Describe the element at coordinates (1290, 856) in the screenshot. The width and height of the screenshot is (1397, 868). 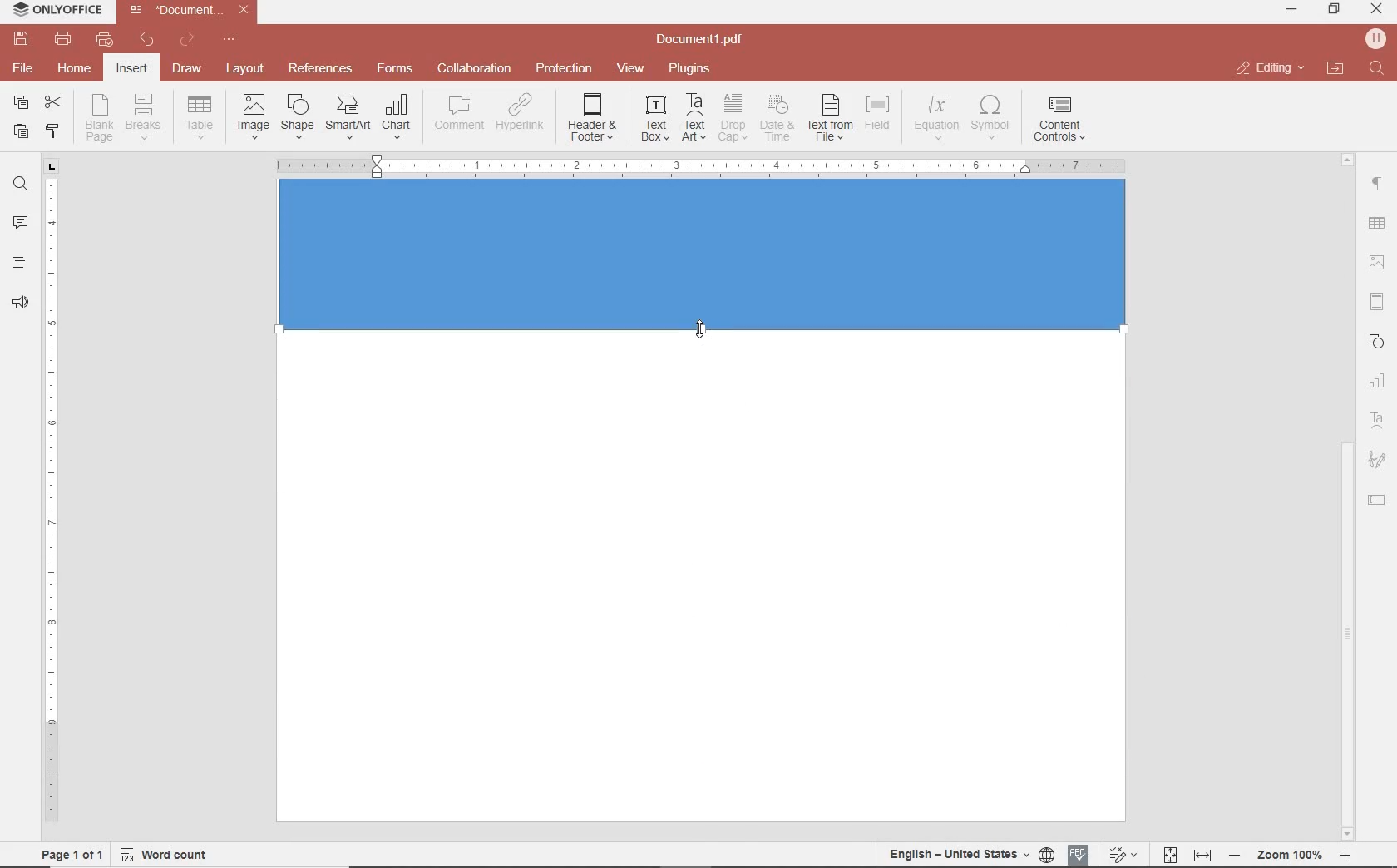
I see `` at that location.